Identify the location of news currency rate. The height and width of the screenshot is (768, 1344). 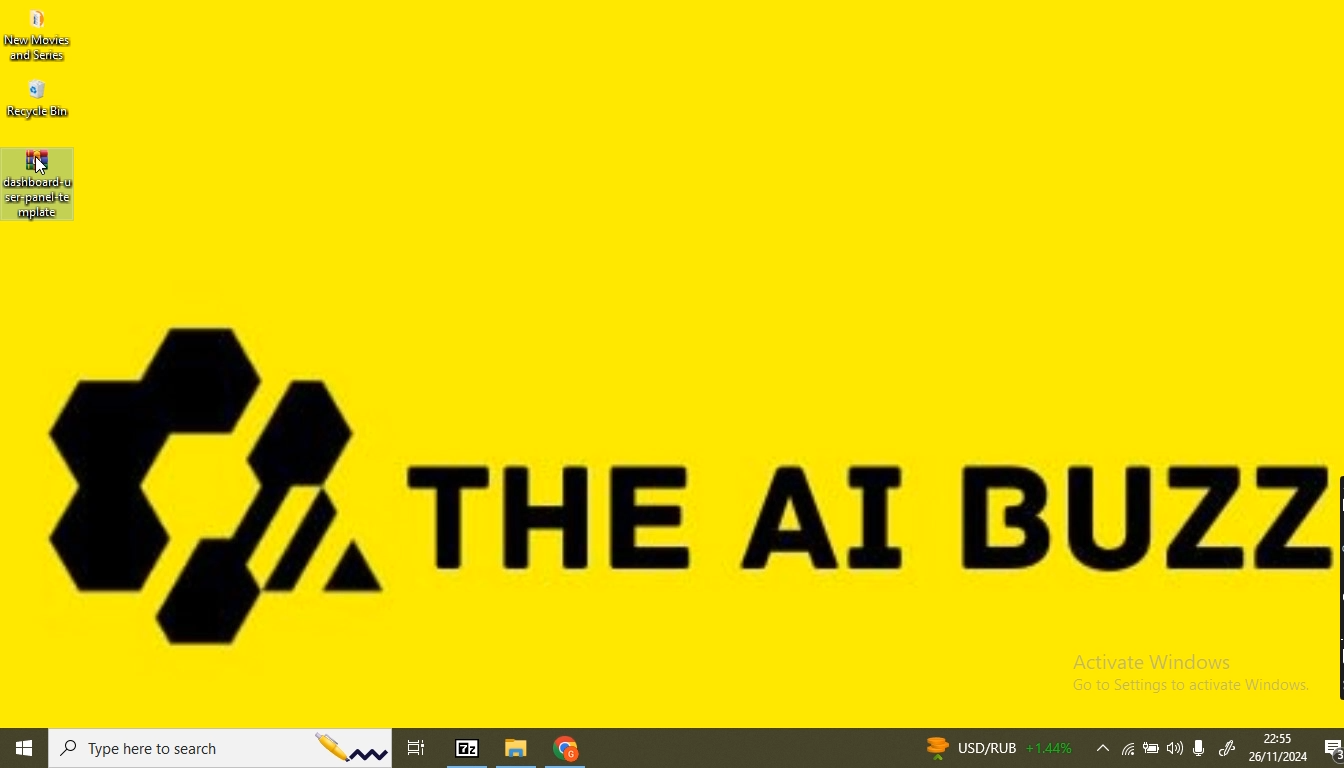
(996, 747).